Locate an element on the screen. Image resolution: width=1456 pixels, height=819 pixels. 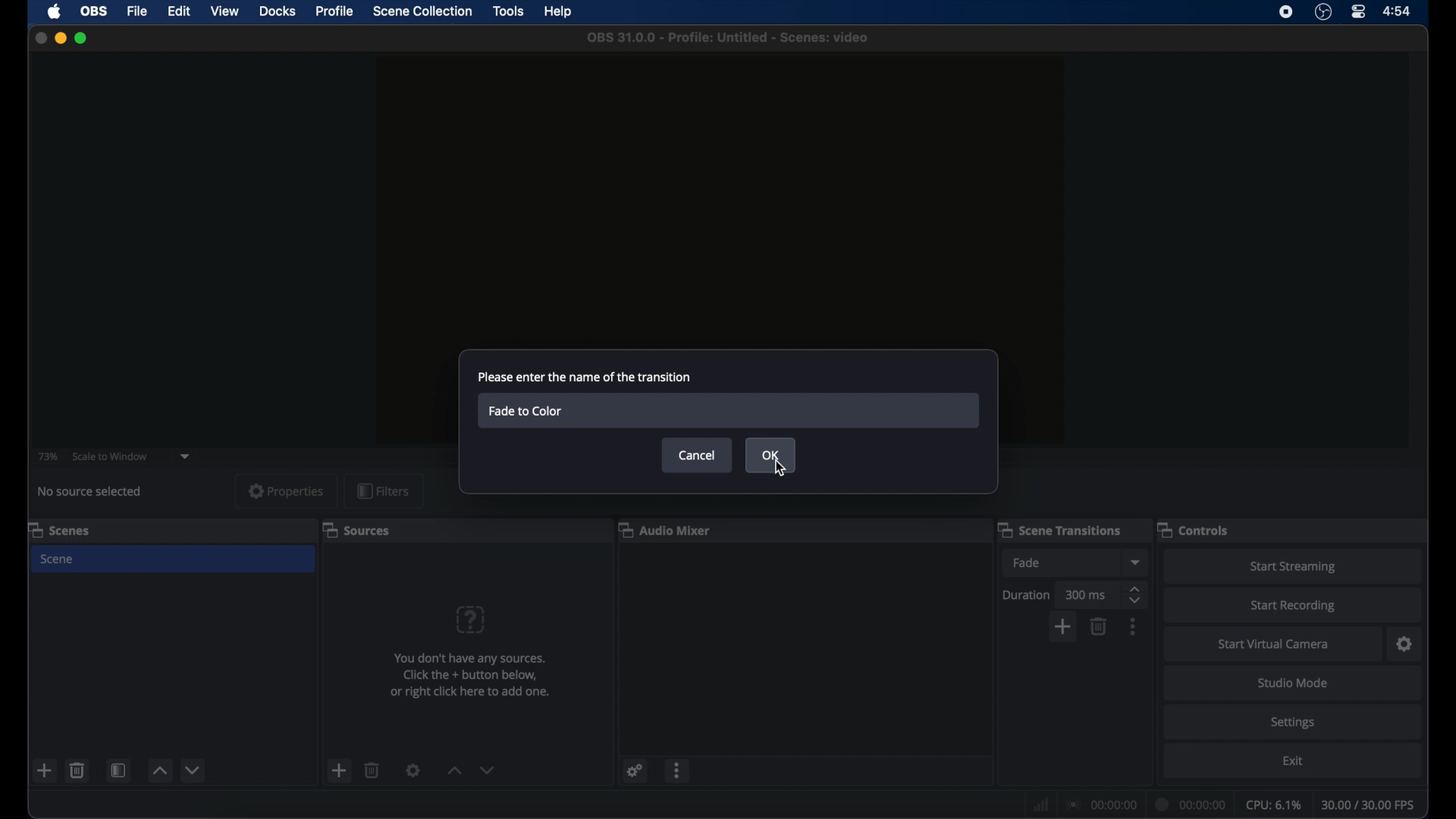
more options is located at coordinates (678, 770).